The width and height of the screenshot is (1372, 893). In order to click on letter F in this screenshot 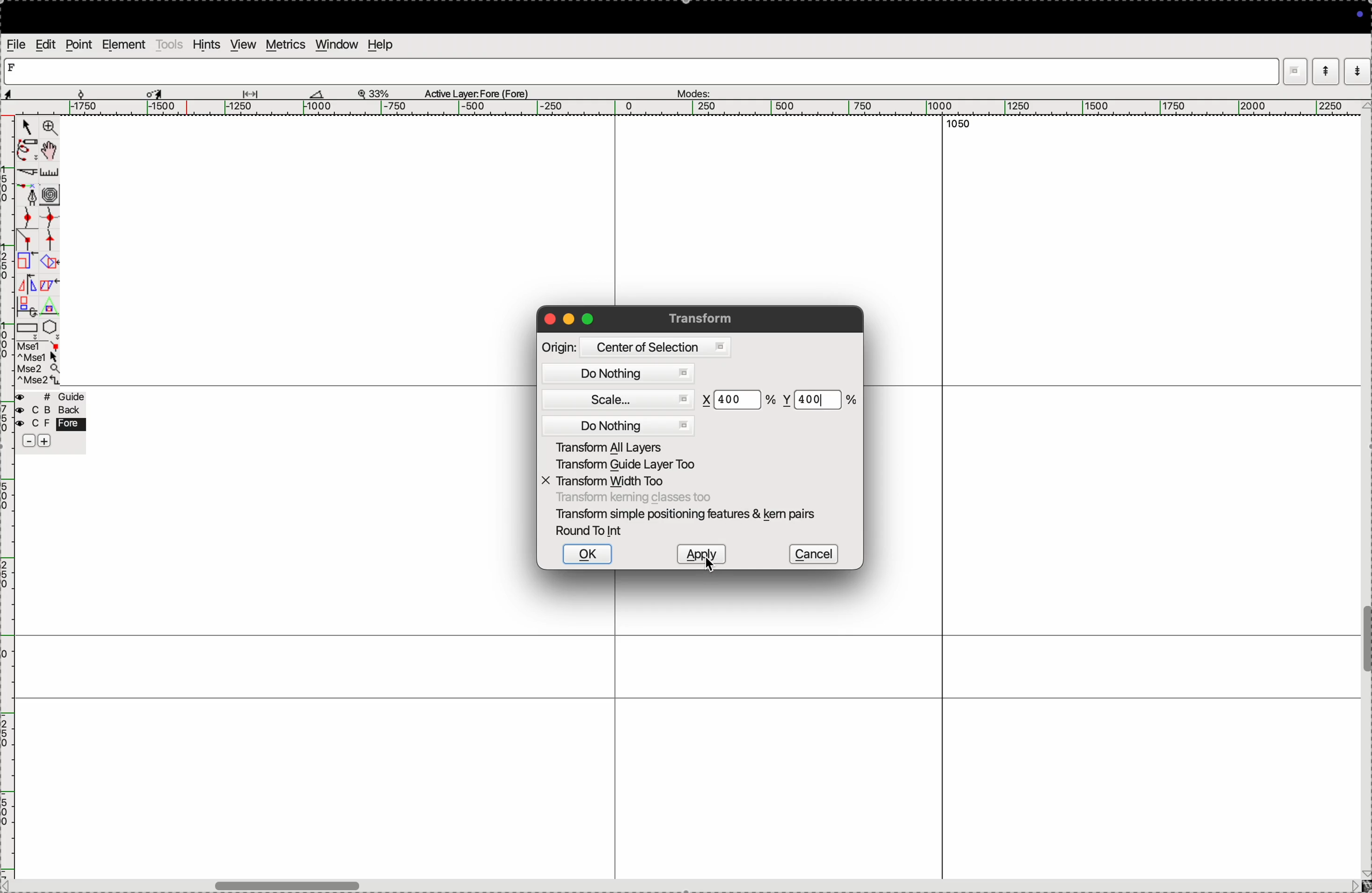, I will do `click(14, 67)`.